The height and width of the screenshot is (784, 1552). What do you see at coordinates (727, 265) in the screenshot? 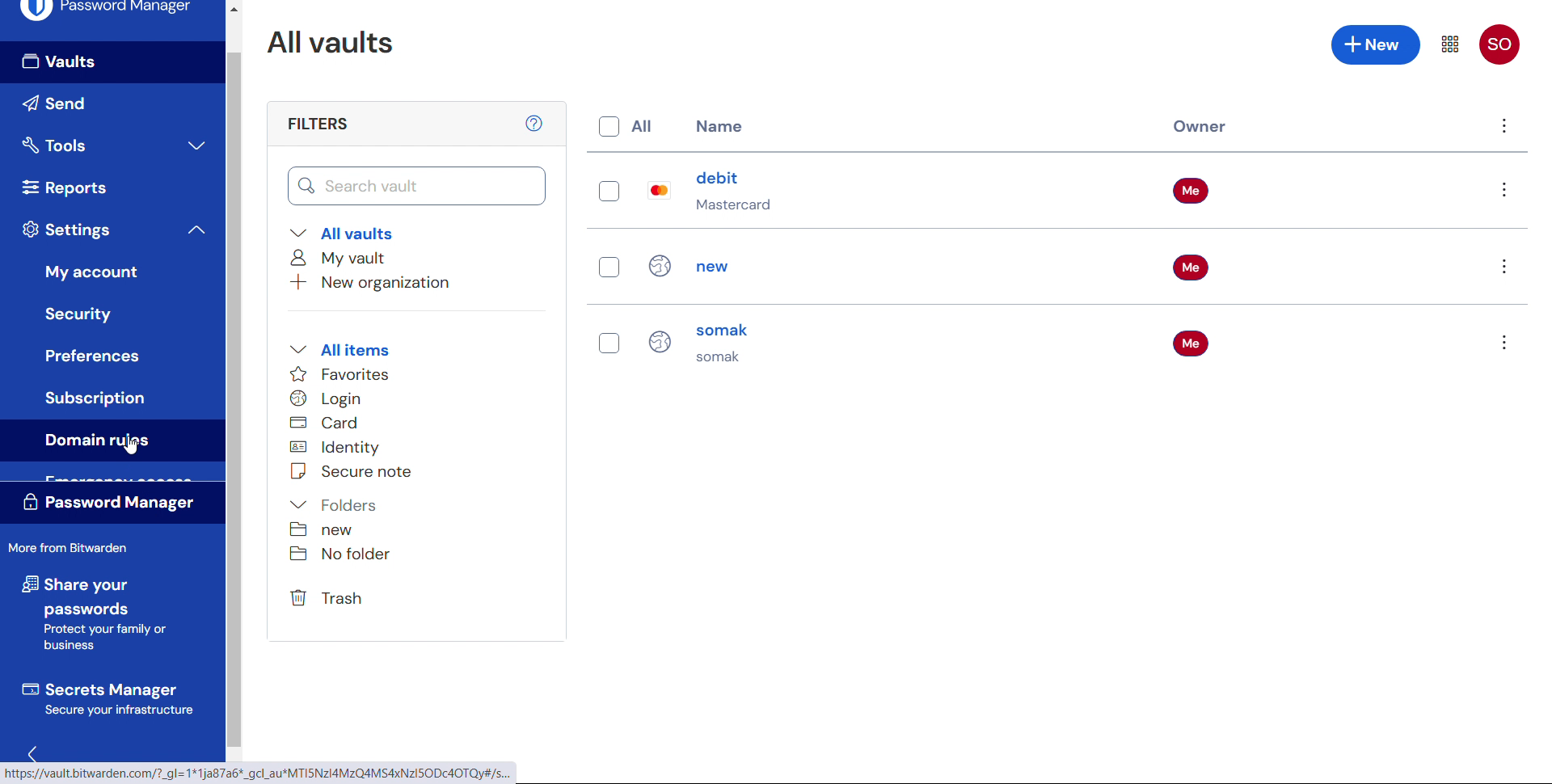
I see `new` at bounding box center [727, 265].